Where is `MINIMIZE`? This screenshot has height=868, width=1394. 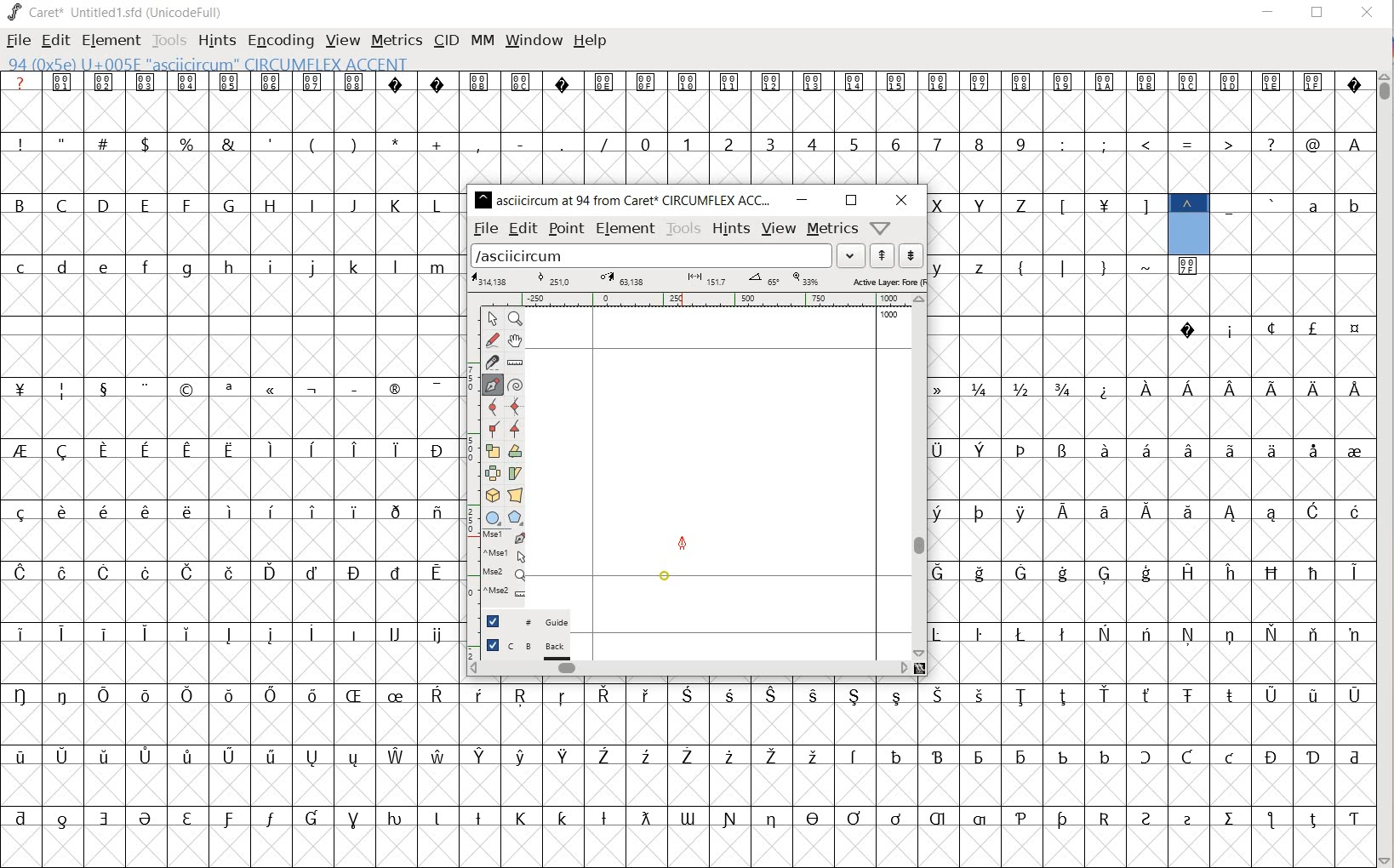
MINIMIZE is located at coordinates (1269, 11).